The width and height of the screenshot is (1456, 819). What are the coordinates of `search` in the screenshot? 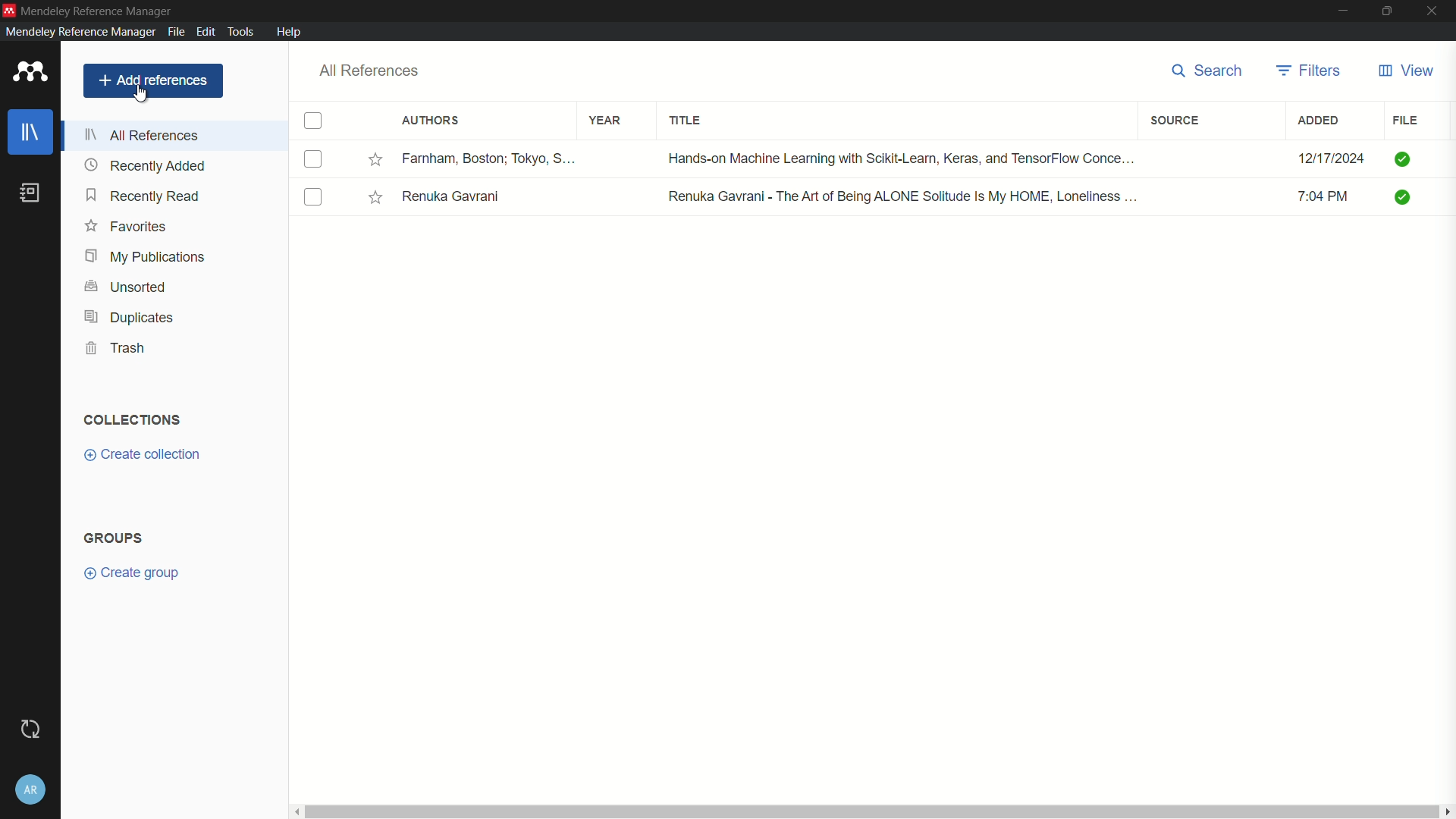 It's located at (1212, 72).